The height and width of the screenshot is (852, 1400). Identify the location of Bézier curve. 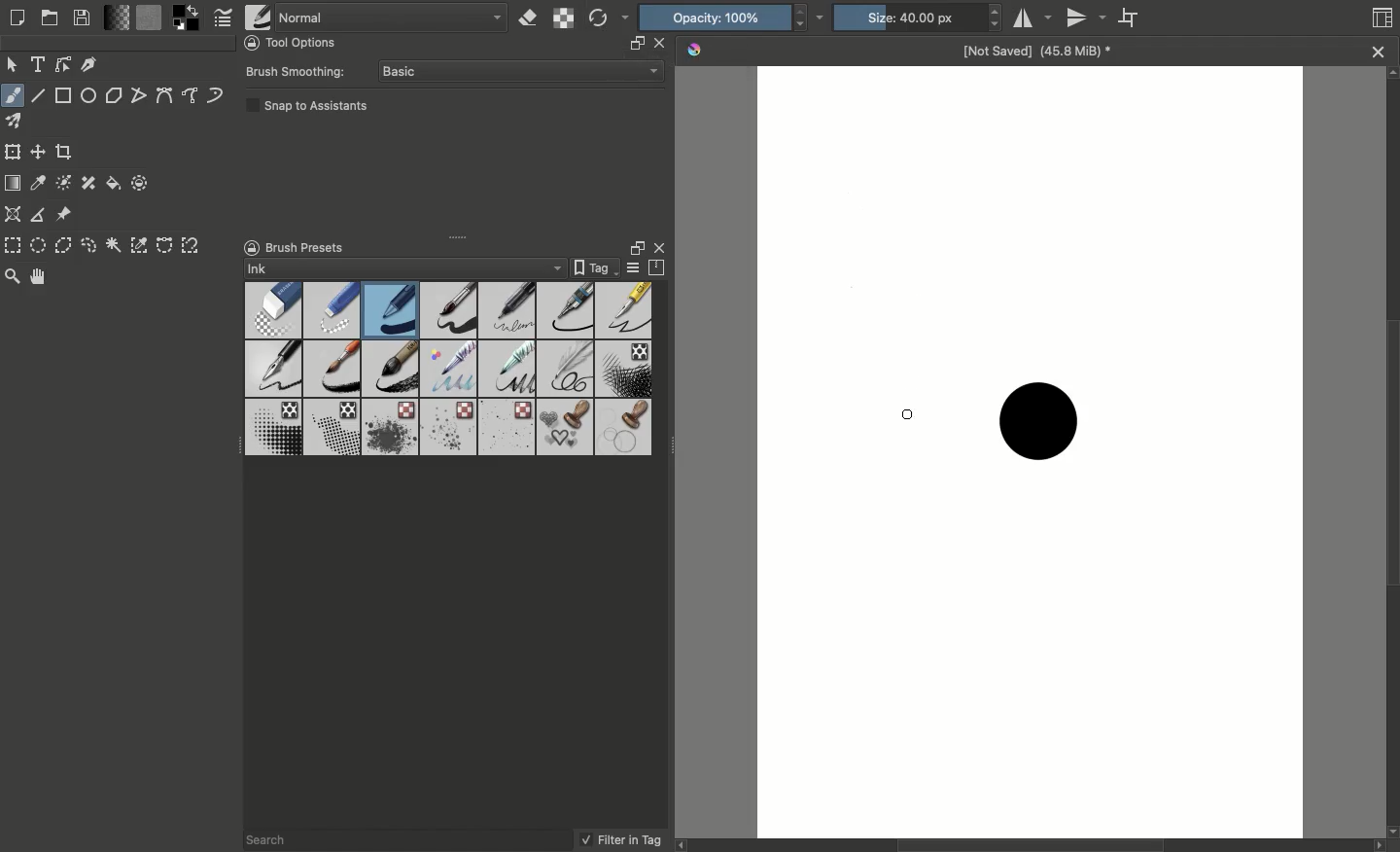
(165, 97).